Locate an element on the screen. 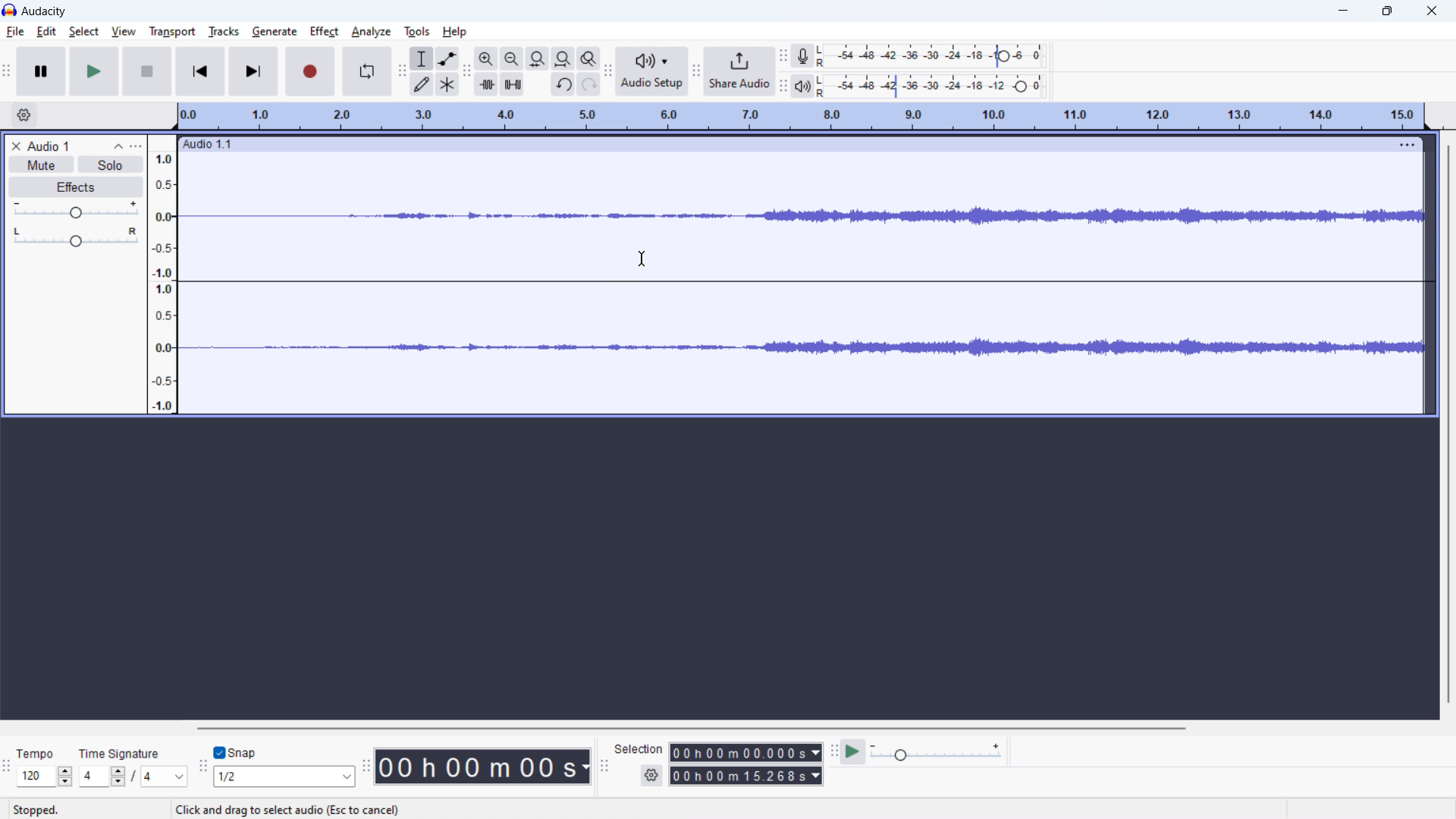 The width and height of the screenshot is (1456, 819). toggle zoom is located at coordinates (589, 59).